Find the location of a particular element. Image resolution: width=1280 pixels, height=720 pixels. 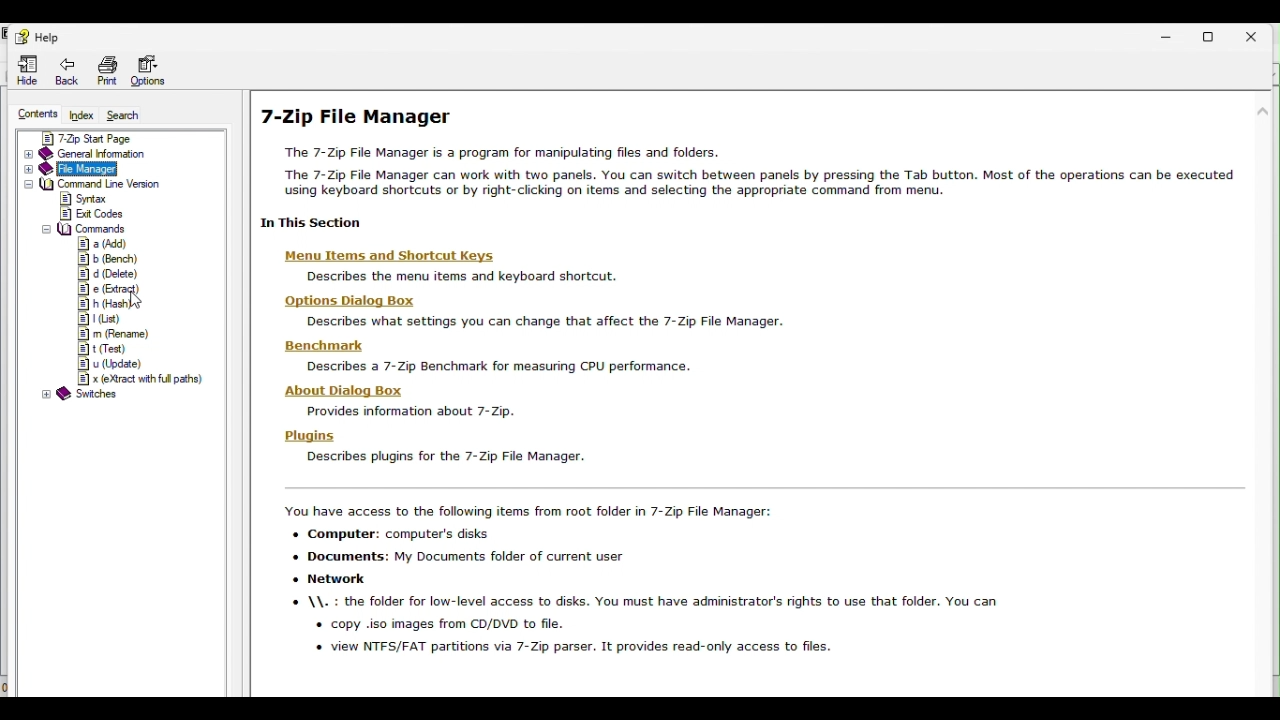

d( delete ) is located at coordinates (107, 274).